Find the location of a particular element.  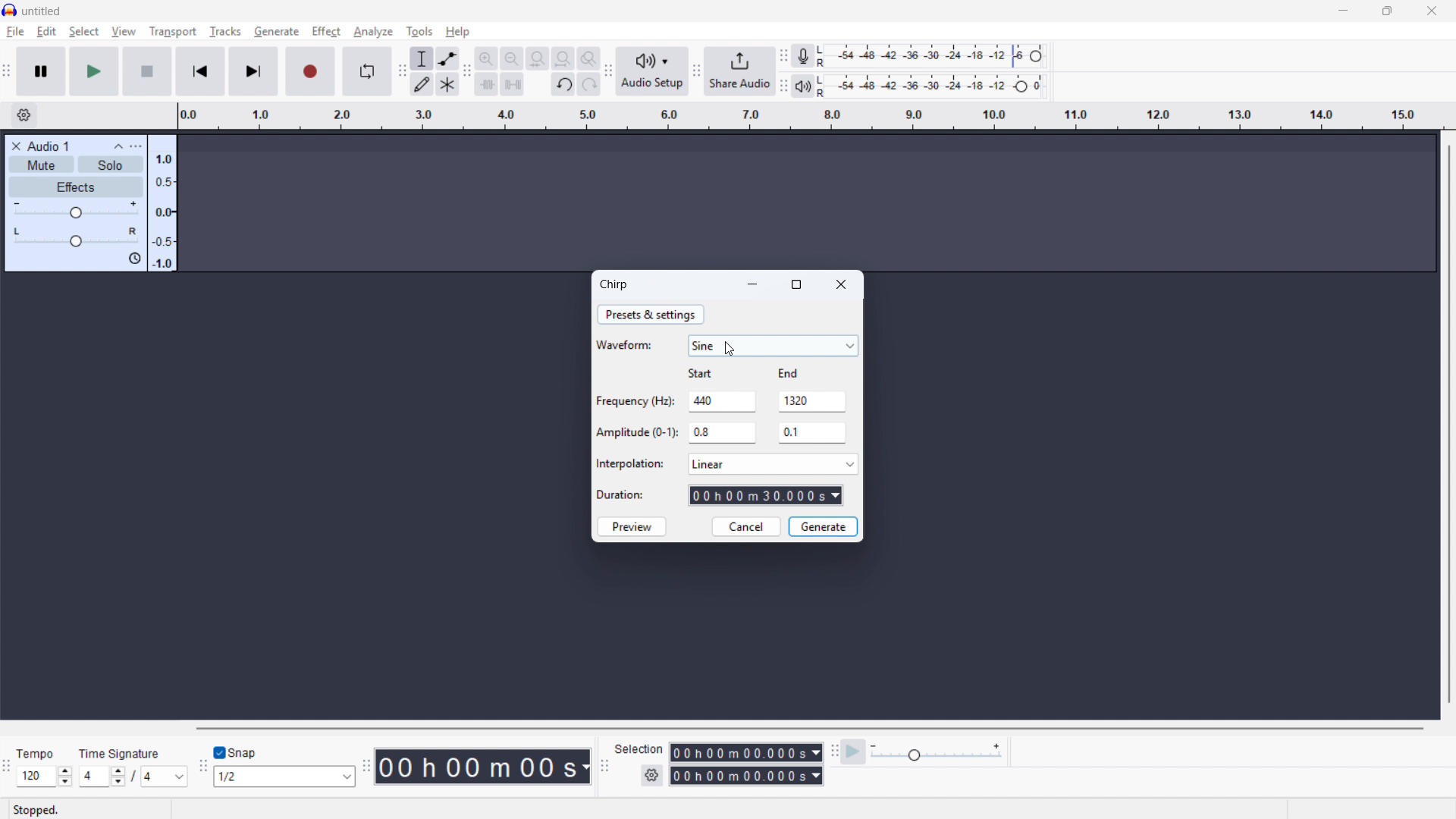

Transport  is located at coordinates (171, 31).